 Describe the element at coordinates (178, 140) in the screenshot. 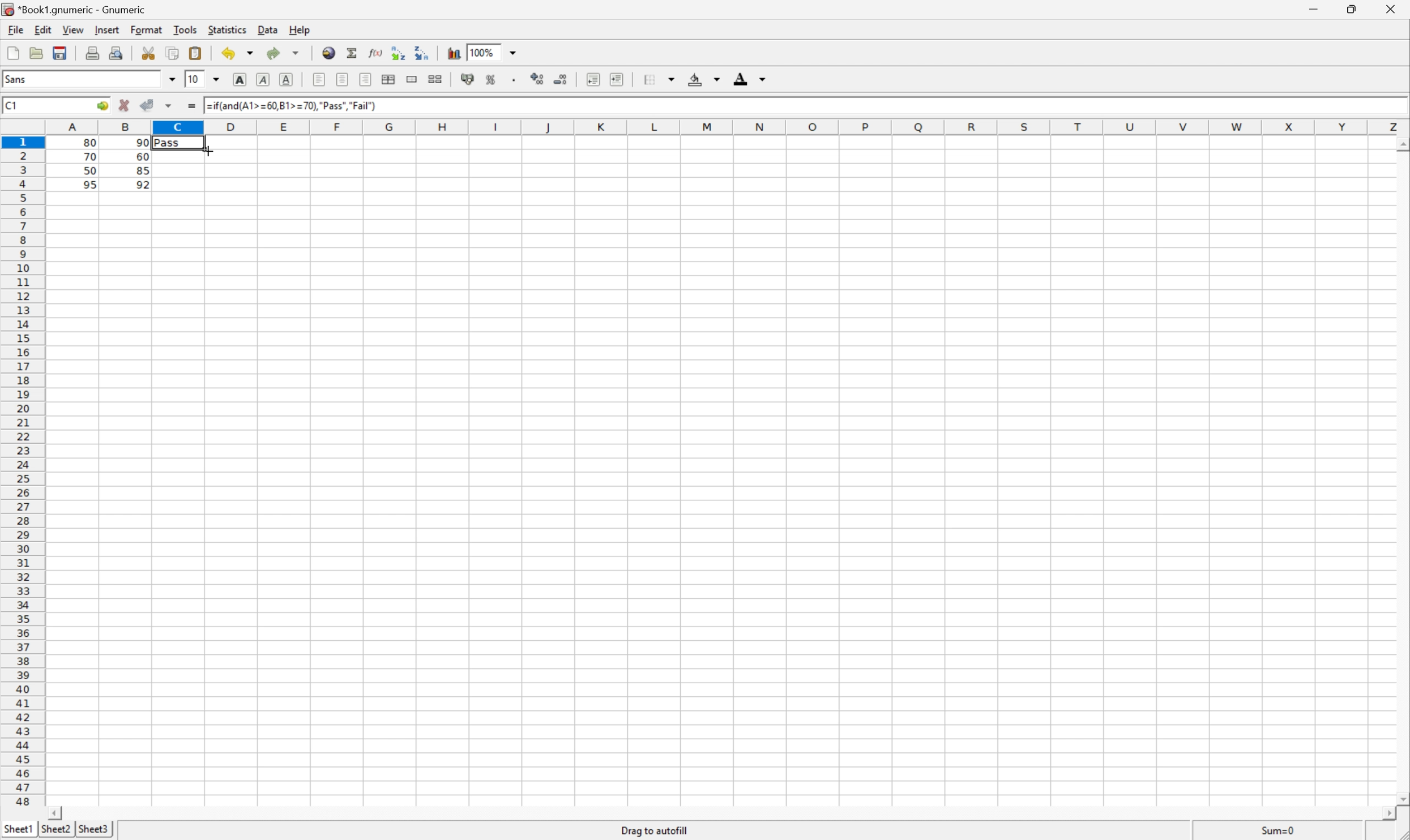

I see `Pass` at that location.